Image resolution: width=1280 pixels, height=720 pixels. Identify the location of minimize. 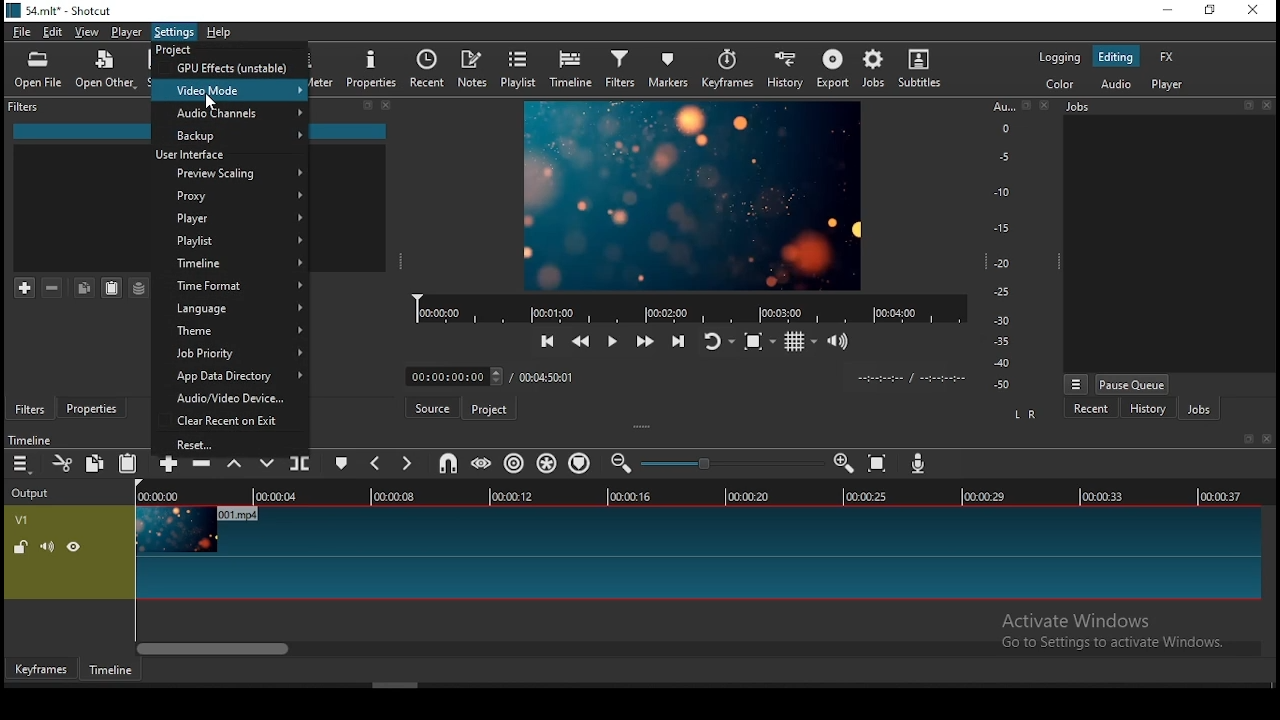
(1167, 11).